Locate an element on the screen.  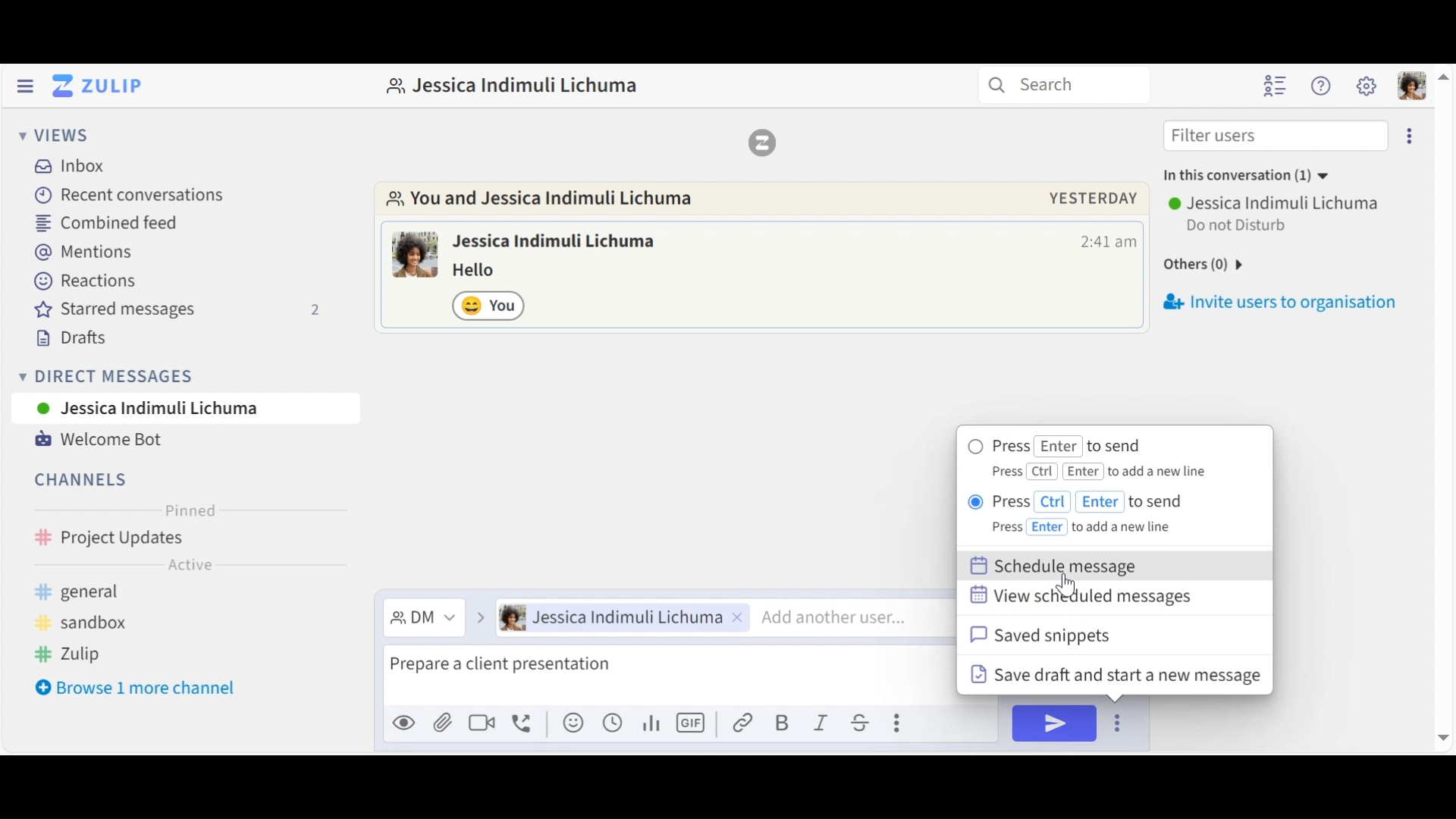
Drafts is located at coordinates (81, 340).